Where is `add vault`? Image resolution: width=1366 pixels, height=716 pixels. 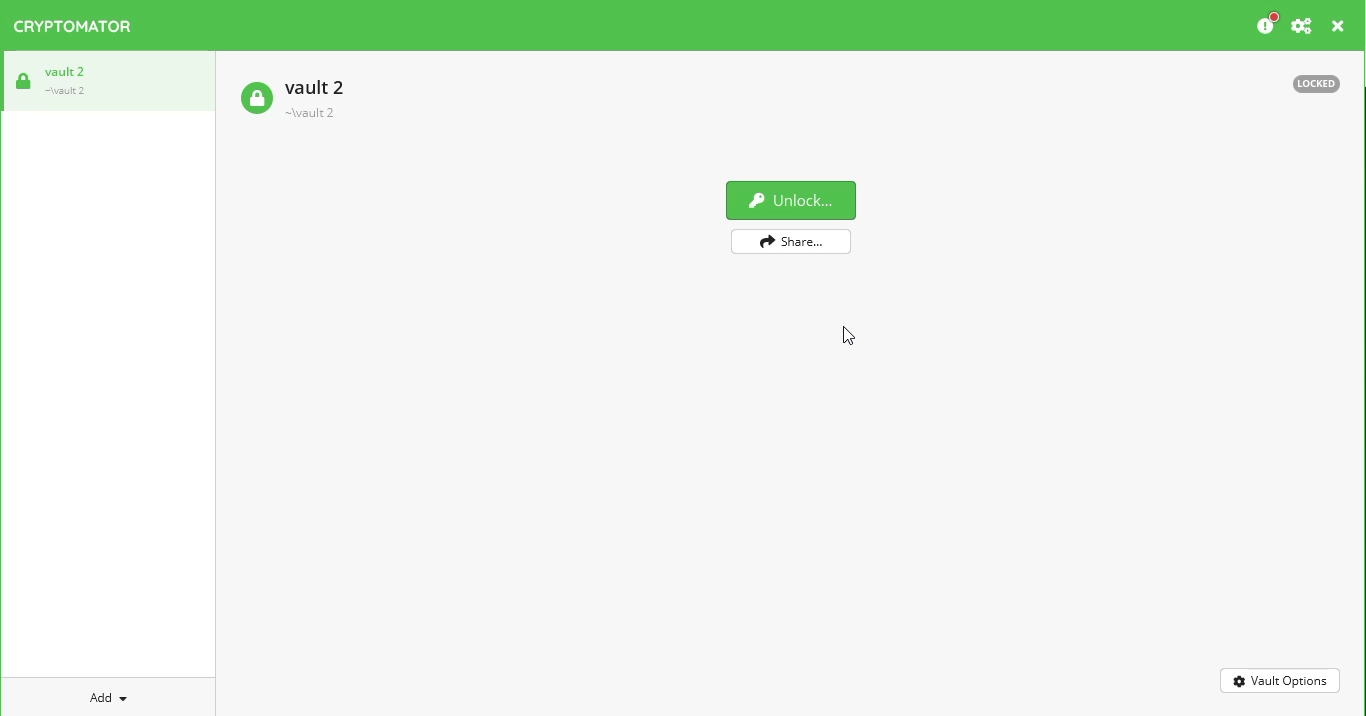 add vault is located at coordinates (114, 698).